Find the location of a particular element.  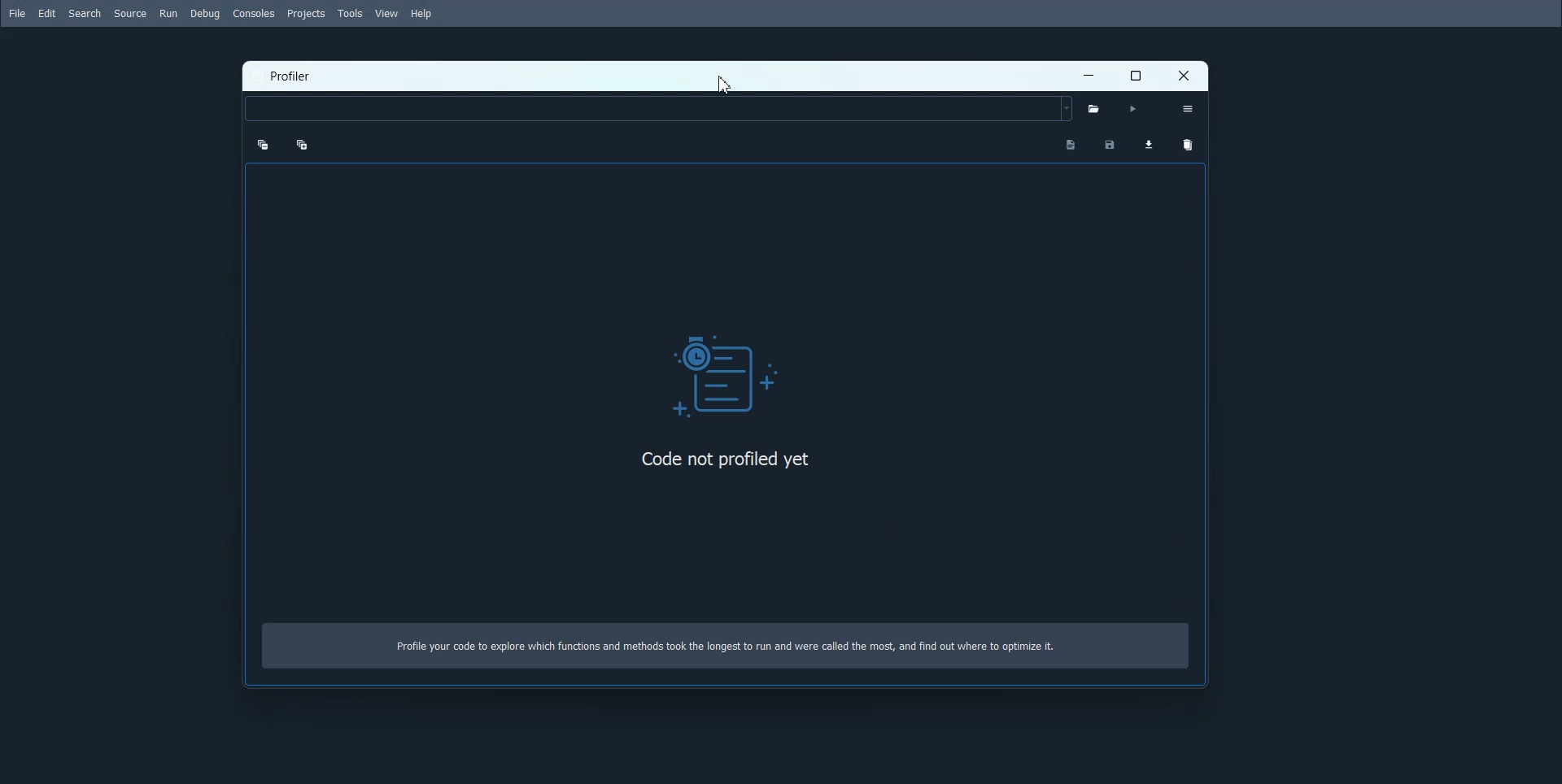

Profiler is located at coordinates (298, 75).